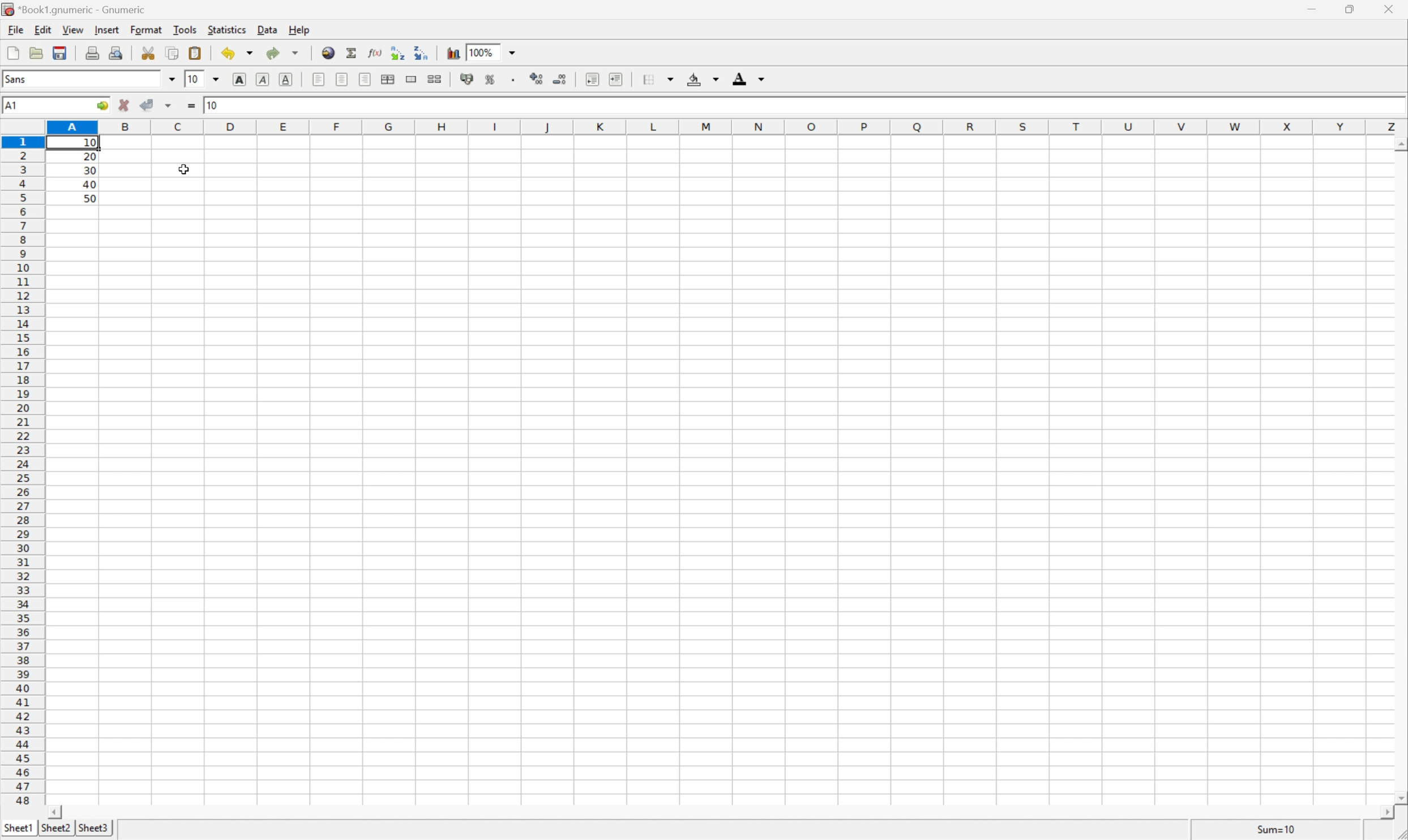 This screenshot has height=840, width=1408. What do you see at coordinates (453, 53) in the screenshot?
I see `Insert a chart ` at bounding box center [453, 53].